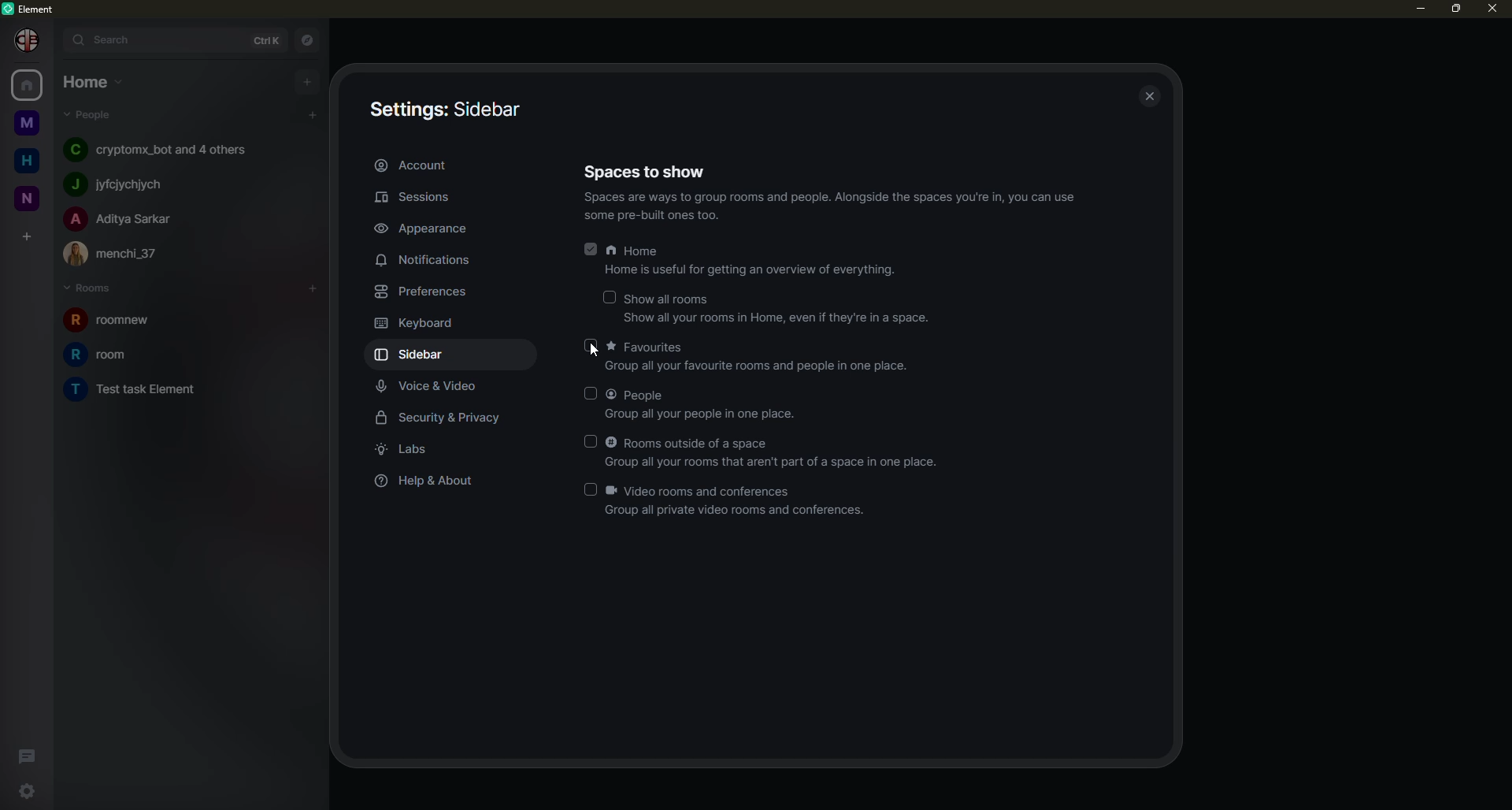 This screenshot has height=810, width=1512. Describe the element at coordinates (416, 321) in the screenshot. I see `keyboard` at that location.